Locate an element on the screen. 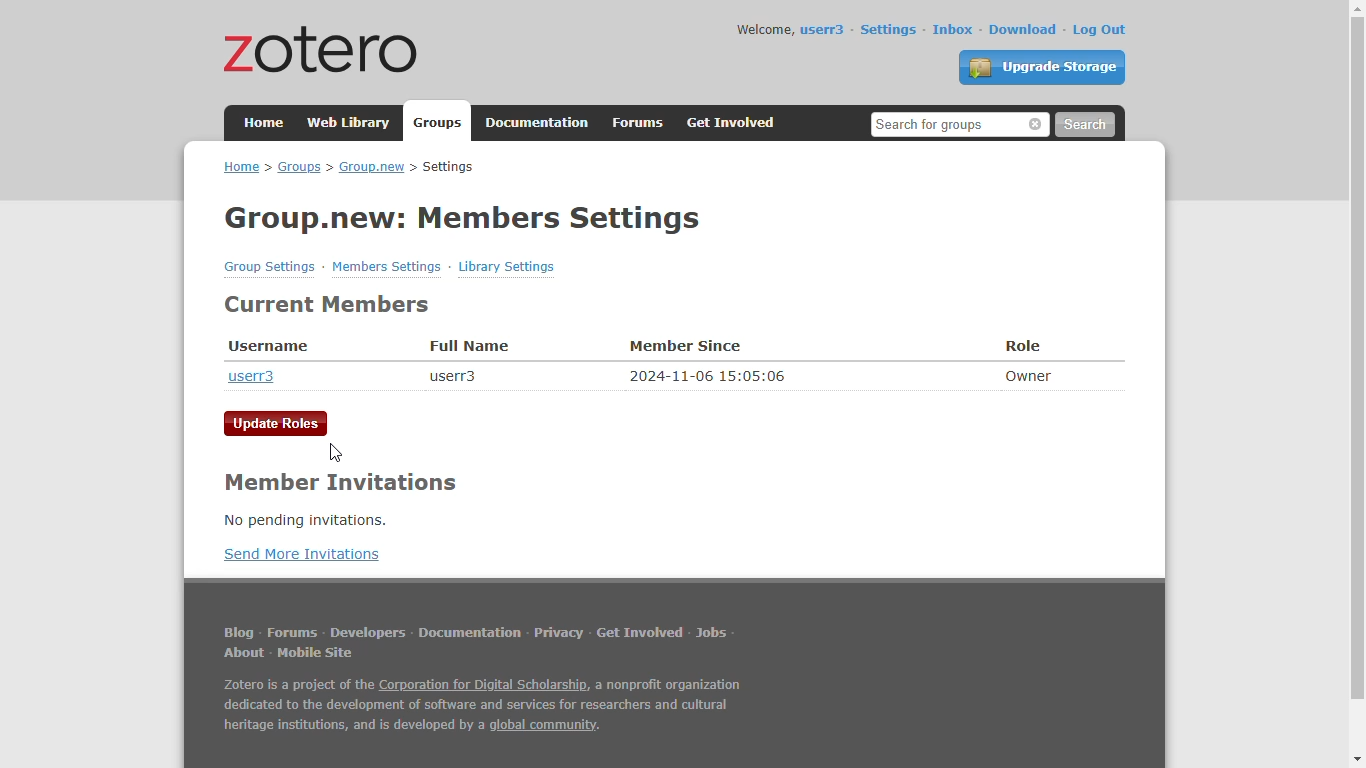  userr3 is located at coordinates (451, 376).